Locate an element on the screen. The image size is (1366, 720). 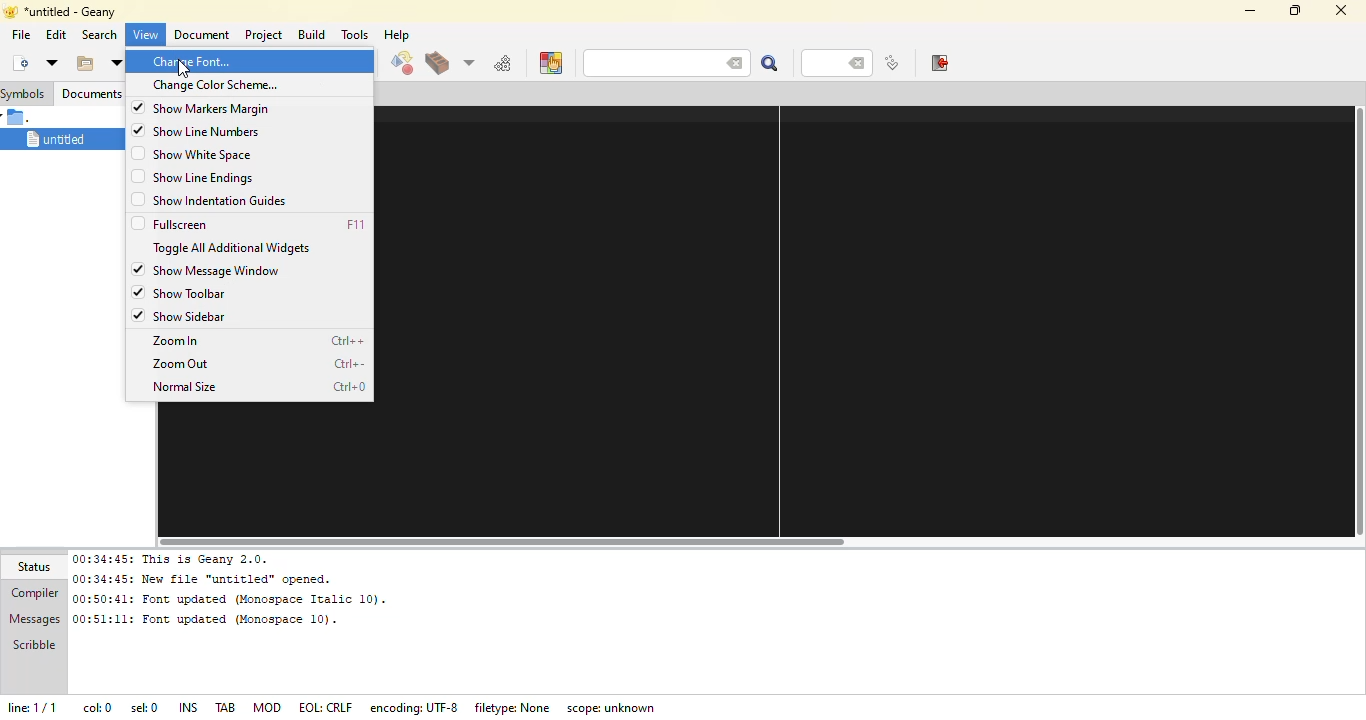
enabled is located at coordinates (138, 292).